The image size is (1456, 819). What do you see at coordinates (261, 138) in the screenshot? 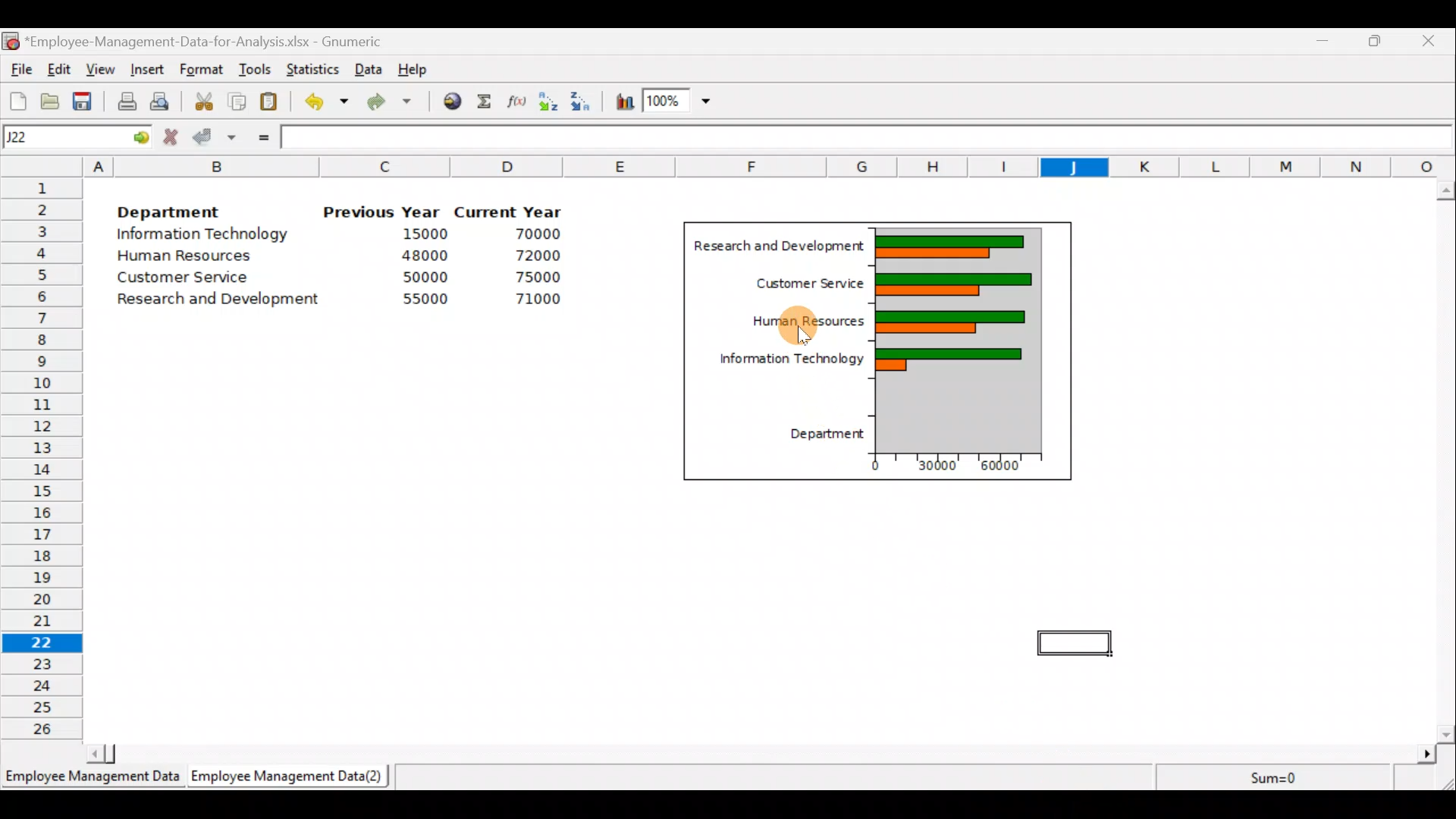
I see `Enter formula` at bounding box center [261, 138].